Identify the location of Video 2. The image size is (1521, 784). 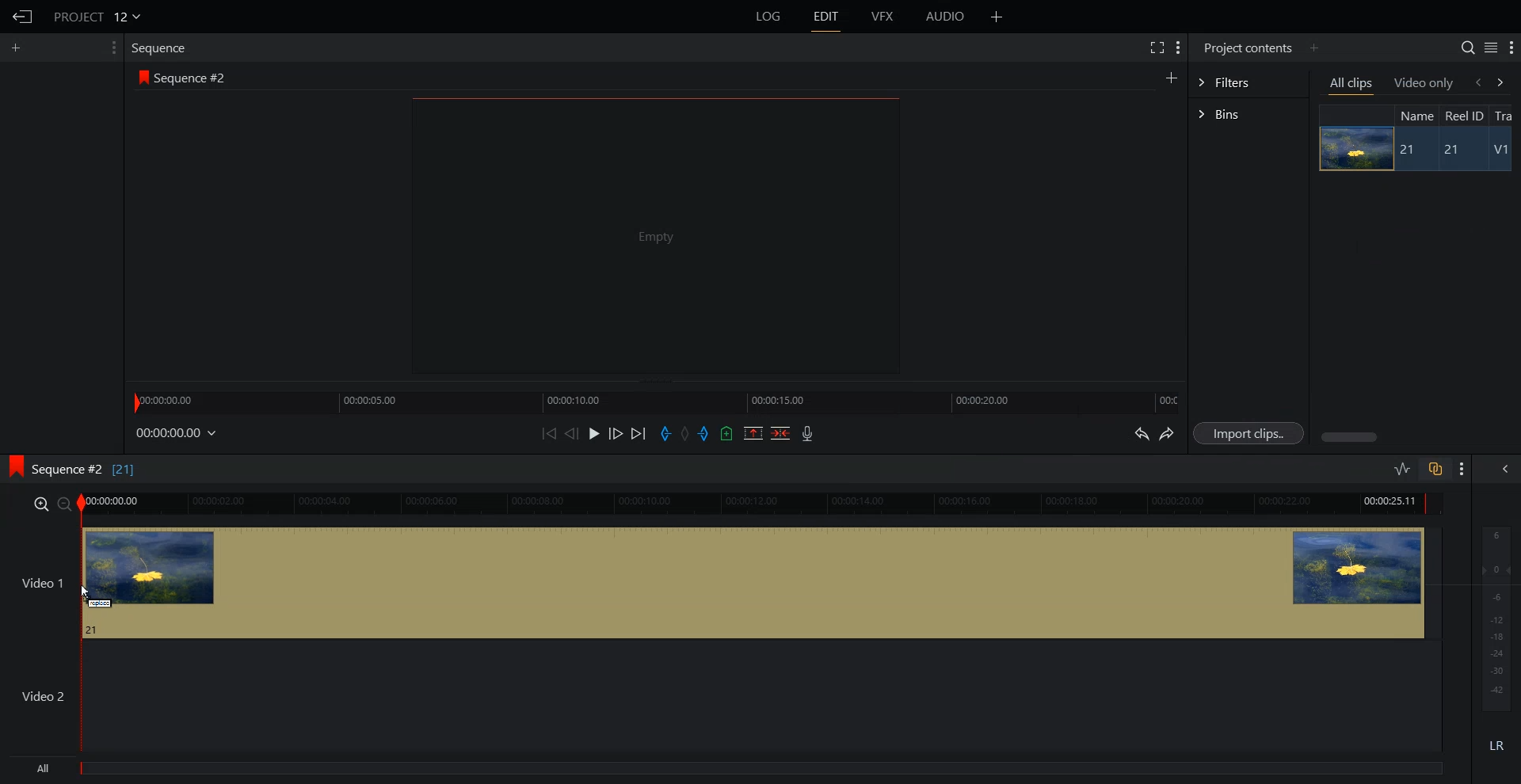
(721, 696).